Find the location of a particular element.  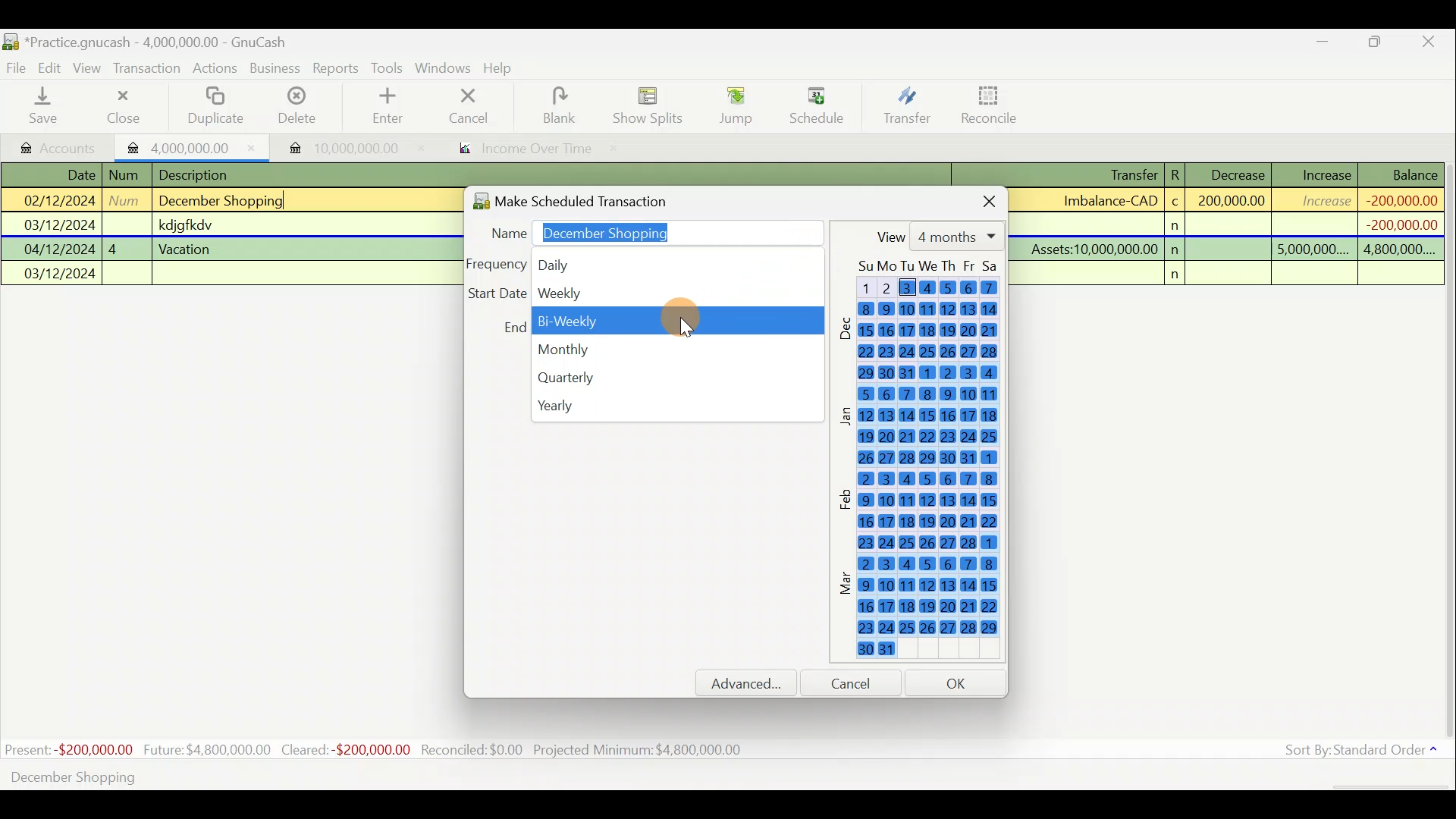

Blank is located at coordinates (557, 106).